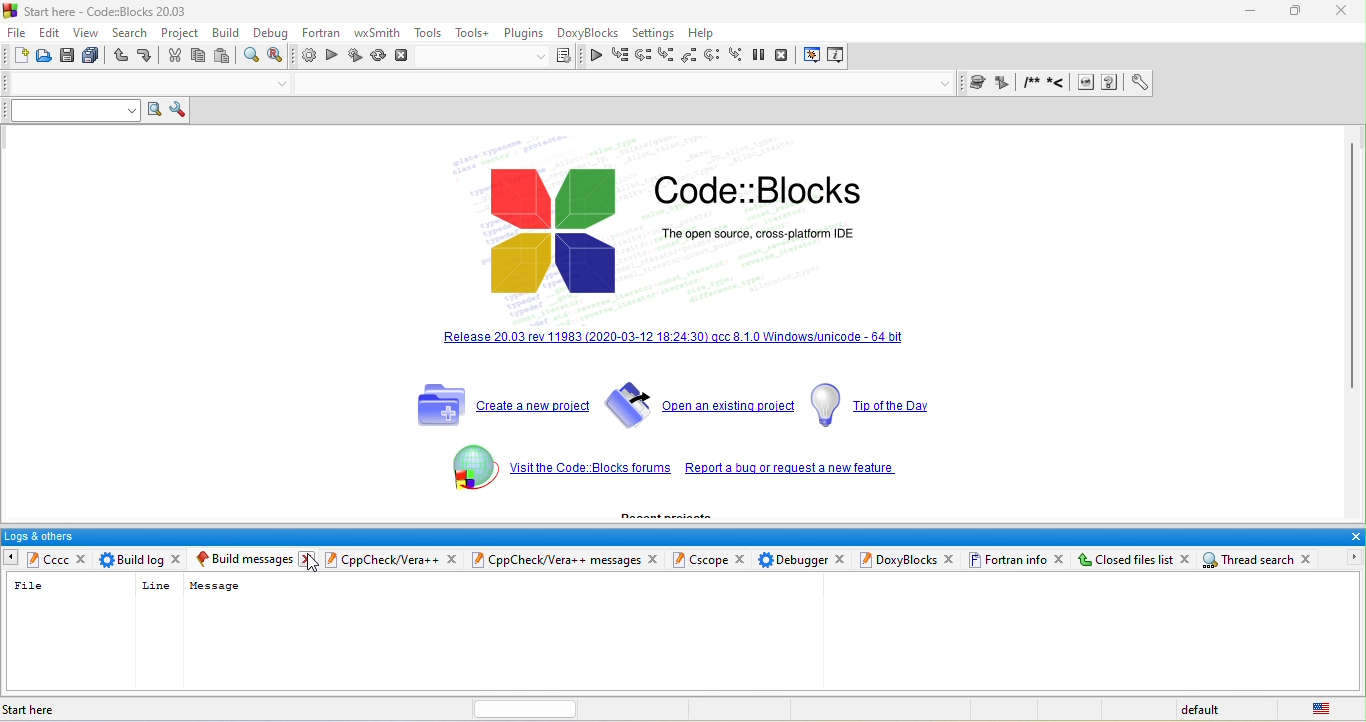  I want to click on maximize, so click(1296, 11).